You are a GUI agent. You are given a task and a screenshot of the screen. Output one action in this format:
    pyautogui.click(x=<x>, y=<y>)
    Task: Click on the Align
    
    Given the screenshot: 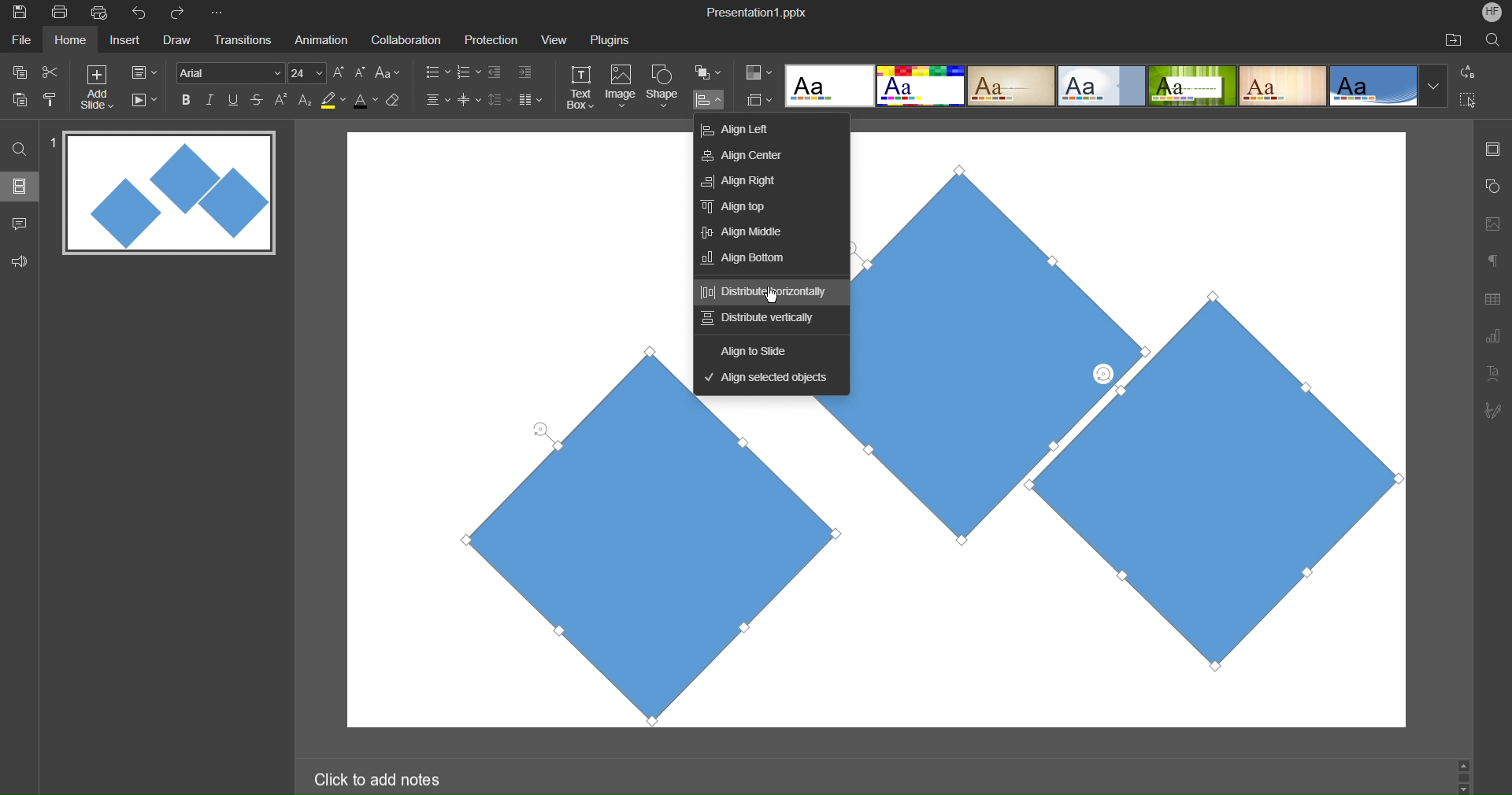 What is the action you would take?
    pyautogui.click(x=708, y=100)
    